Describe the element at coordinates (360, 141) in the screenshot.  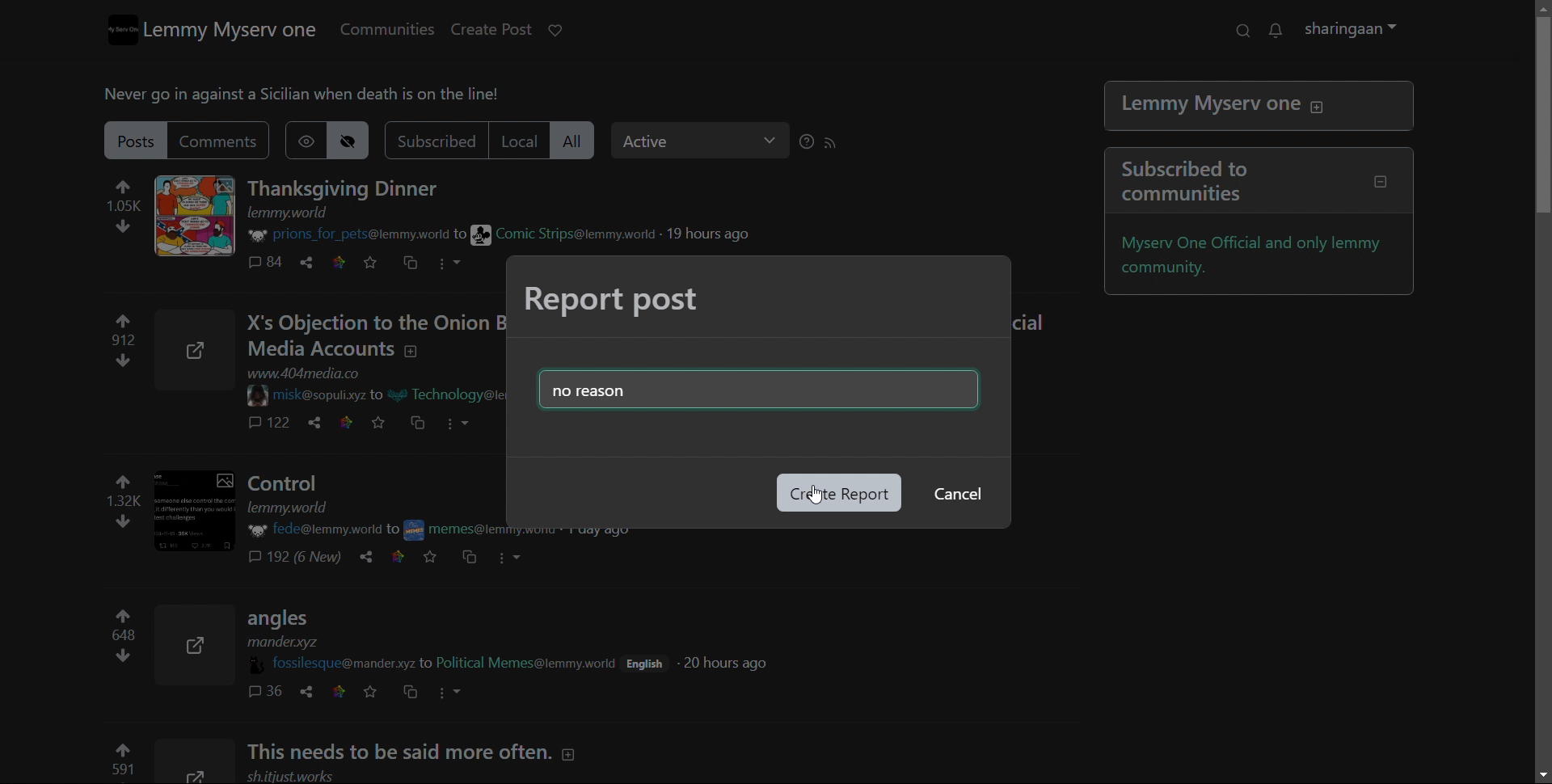
I see `hide posts` at that location.